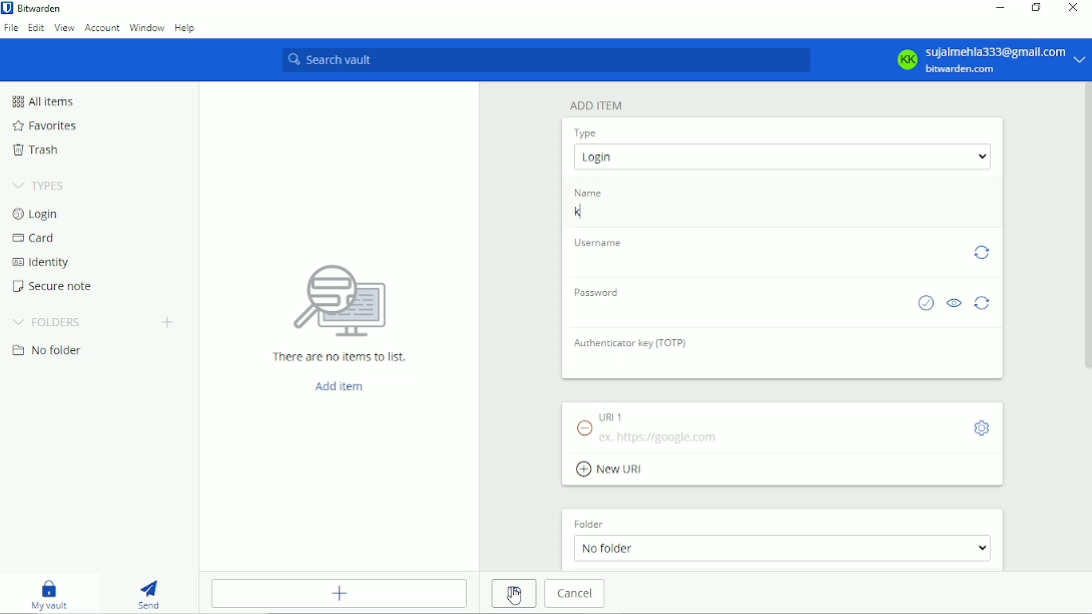  Describe the element at coordinates (147, 595) in the screenshot. I see `Send` at that location.